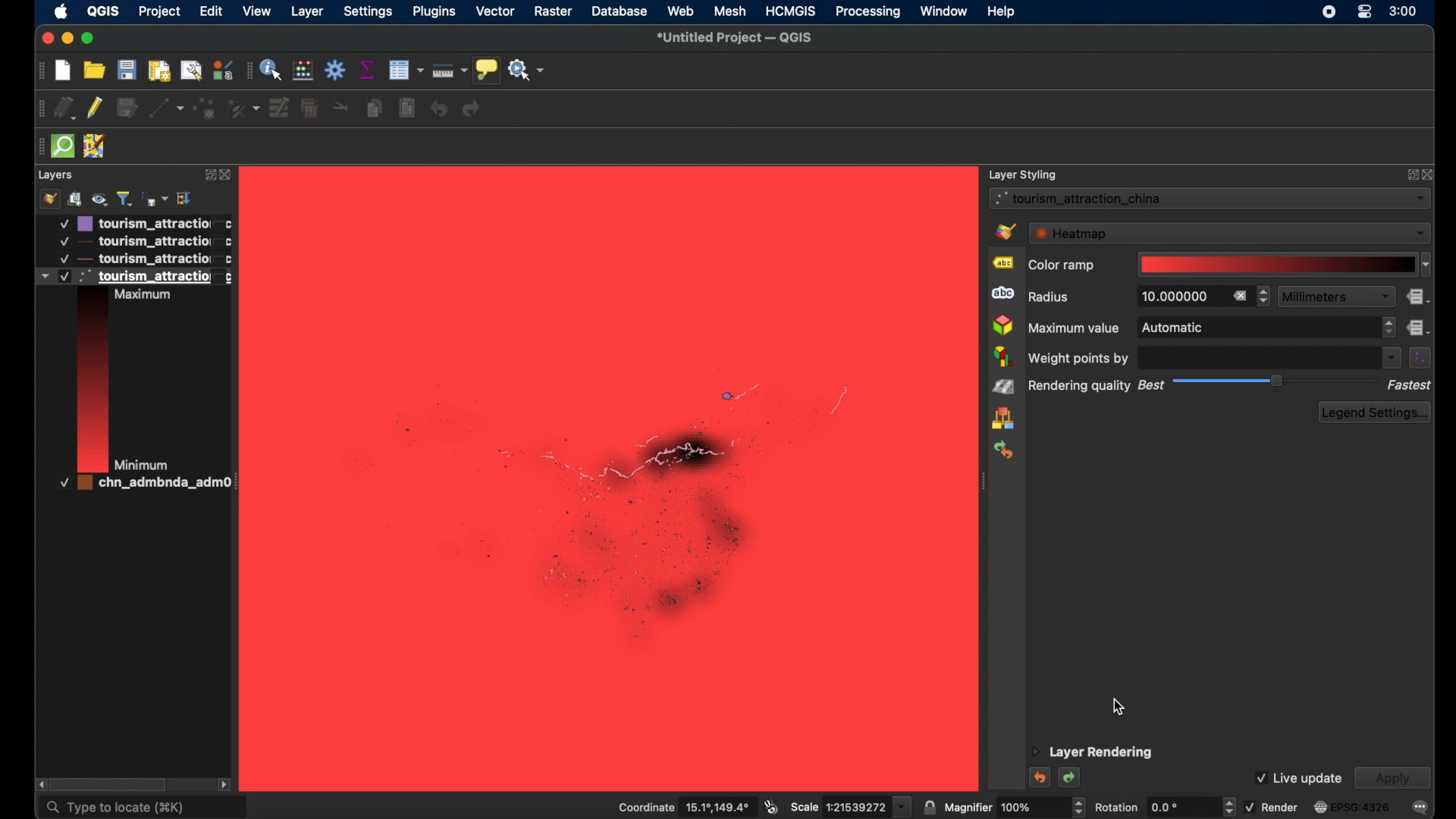  I want to click on project, so click(157, 11).